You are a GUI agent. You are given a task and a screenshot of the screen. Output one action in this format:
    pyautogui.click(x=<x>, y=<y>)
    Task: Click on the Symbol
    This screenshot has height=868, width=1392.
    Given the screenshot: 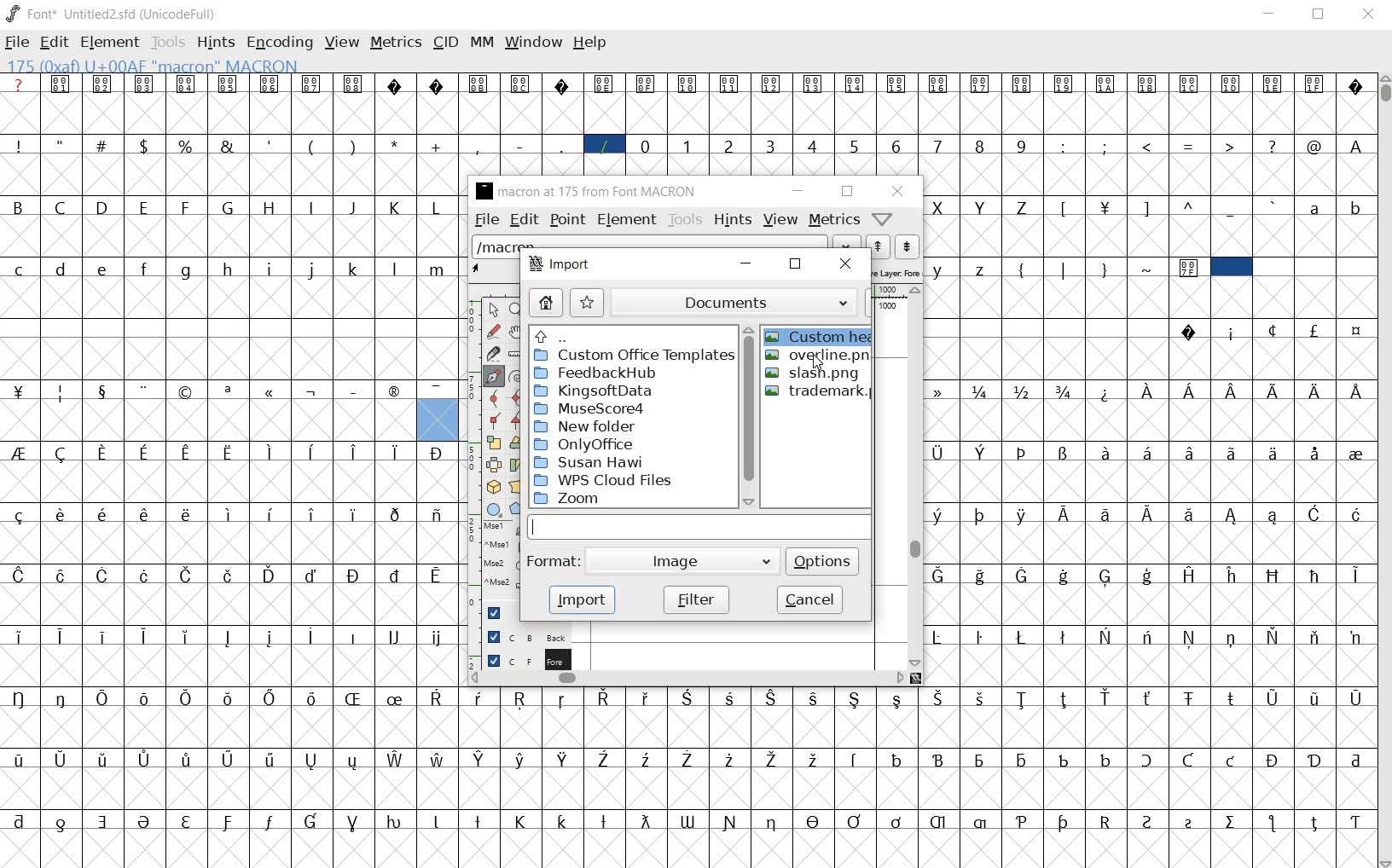 What is the action you would take?
    pyautogui.click(x=647, y=760)
    